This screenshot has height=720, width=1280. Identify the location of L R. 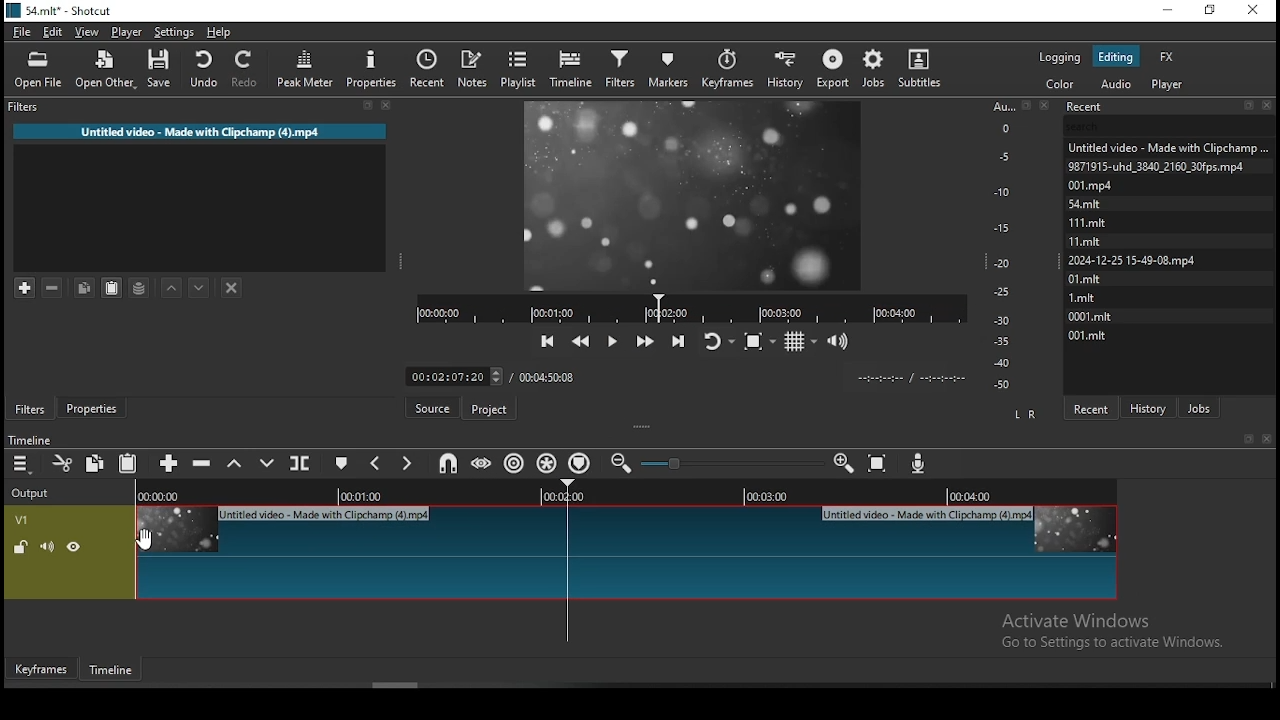
(1026, 413).